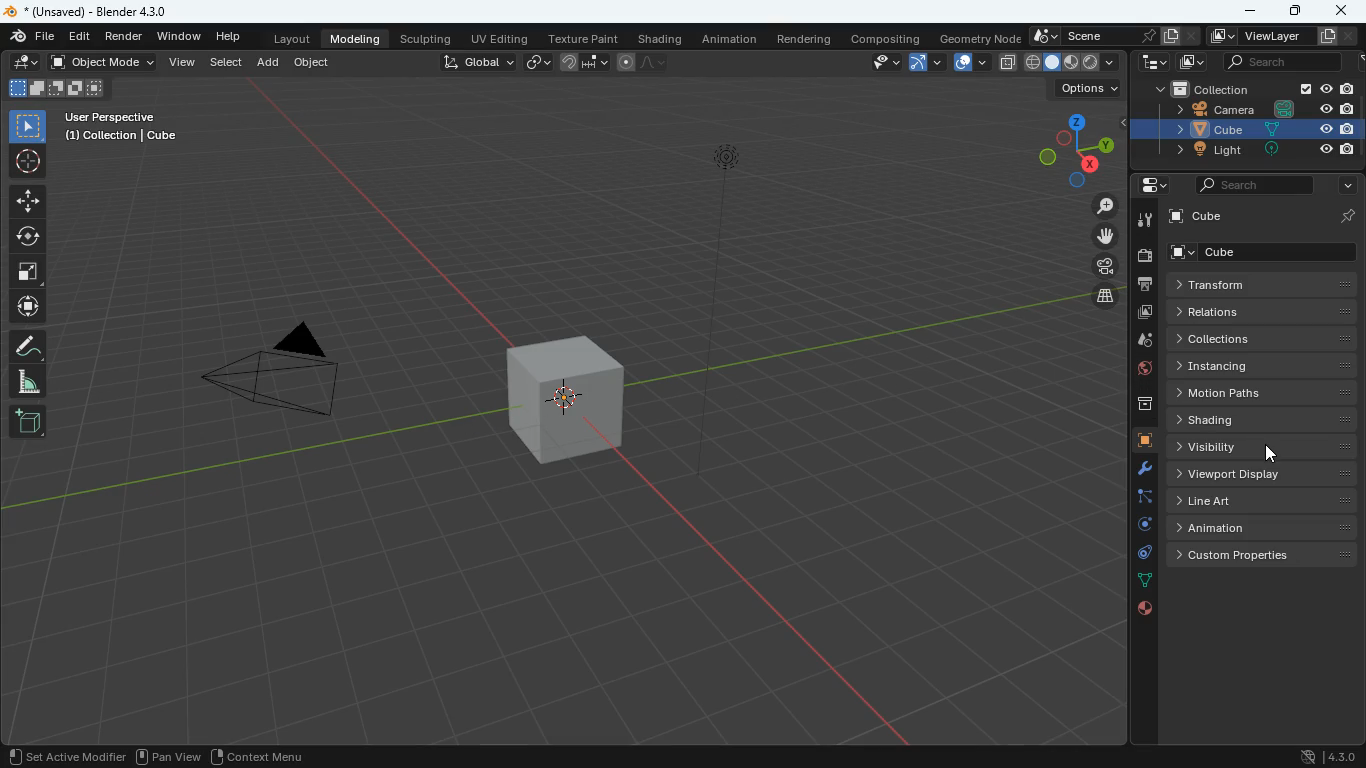 This screenshot has height=768, width=1366. What do you see at coordinates (1007, 63) in the screenshot?
I see `layer` at bounding box center [1007, 63].